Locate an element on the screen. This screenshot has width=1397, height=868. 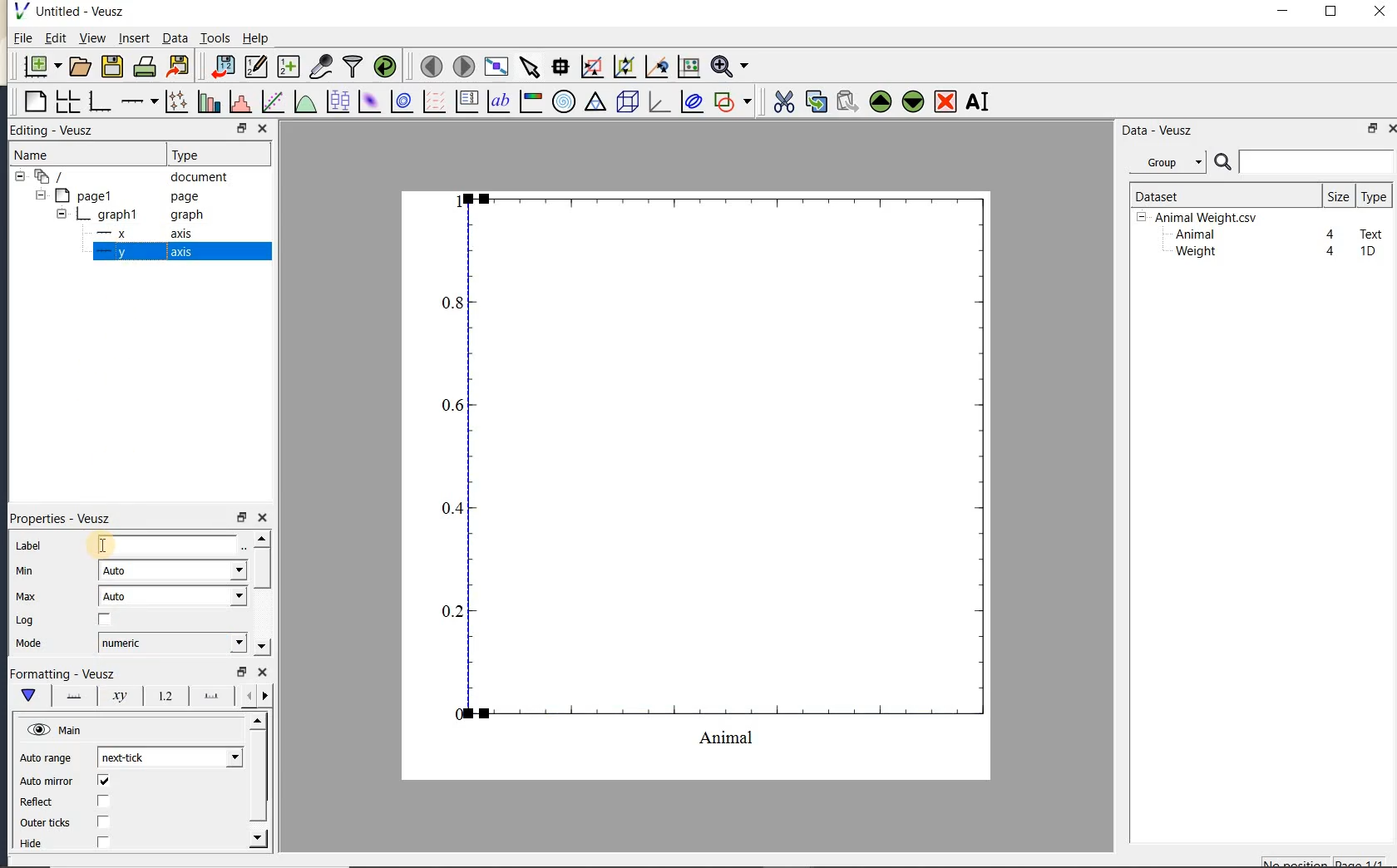
restore is located at coordinates (240, 672).